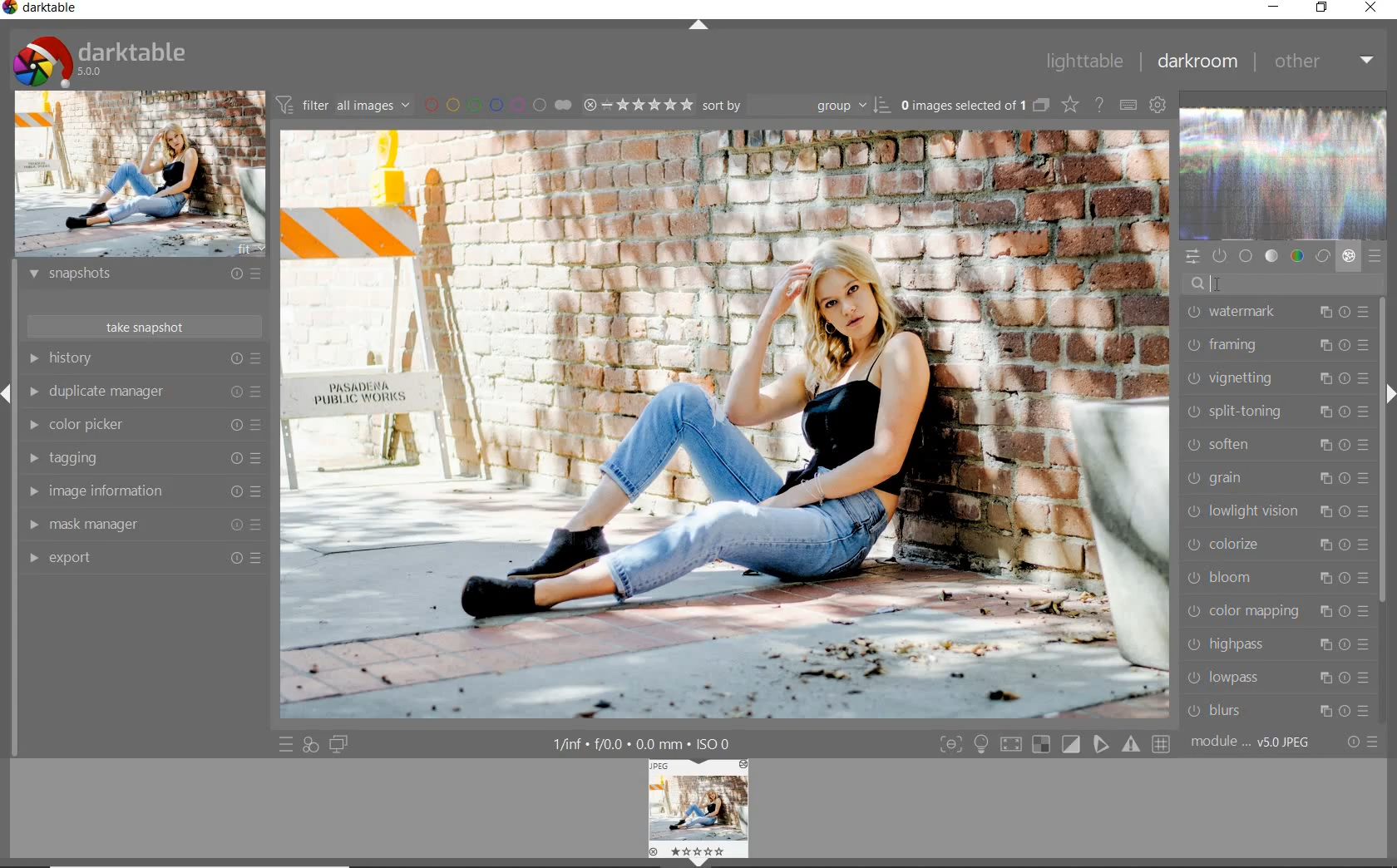 Image resolution: width=1397 pixels, height=868 pixels. What do you see at coordinates (1277, 343) in the screenshot?
I see `framing` at bounding box center [1277, 343].